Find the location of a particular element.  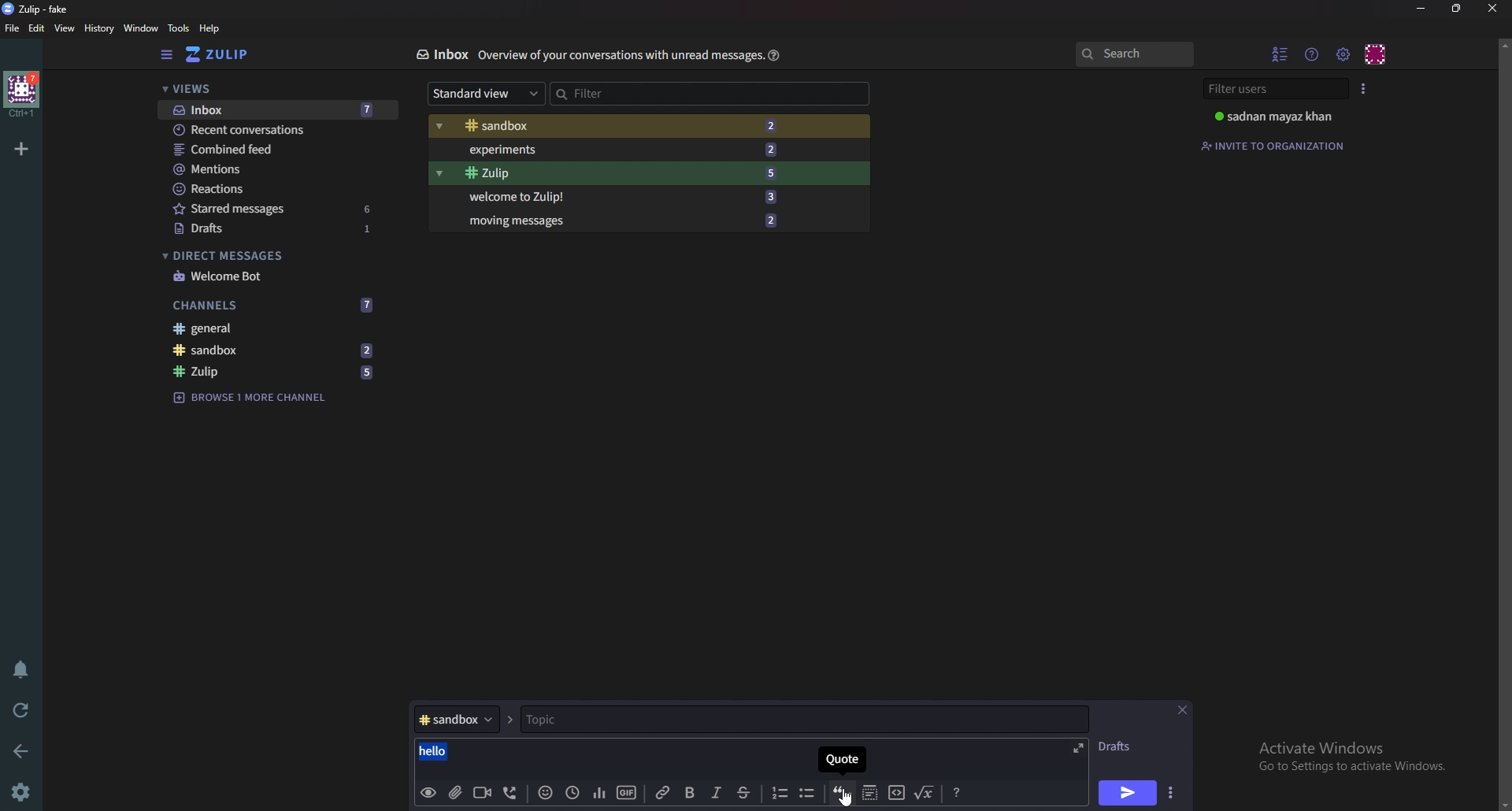

send is located at coordinates (1128, 793).